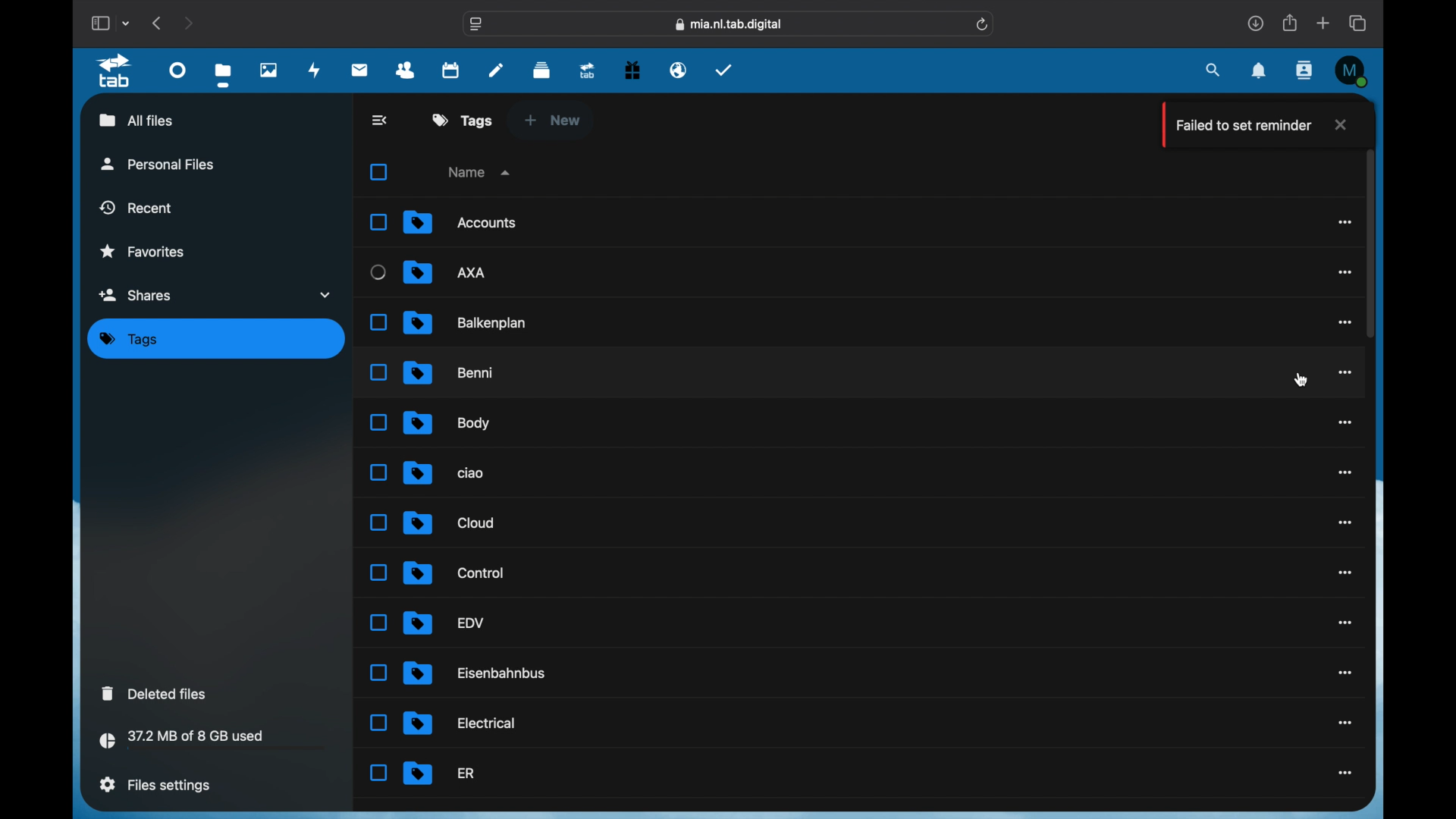 The image size is (1456, 819). I want to click on previous, so click(158, 22).